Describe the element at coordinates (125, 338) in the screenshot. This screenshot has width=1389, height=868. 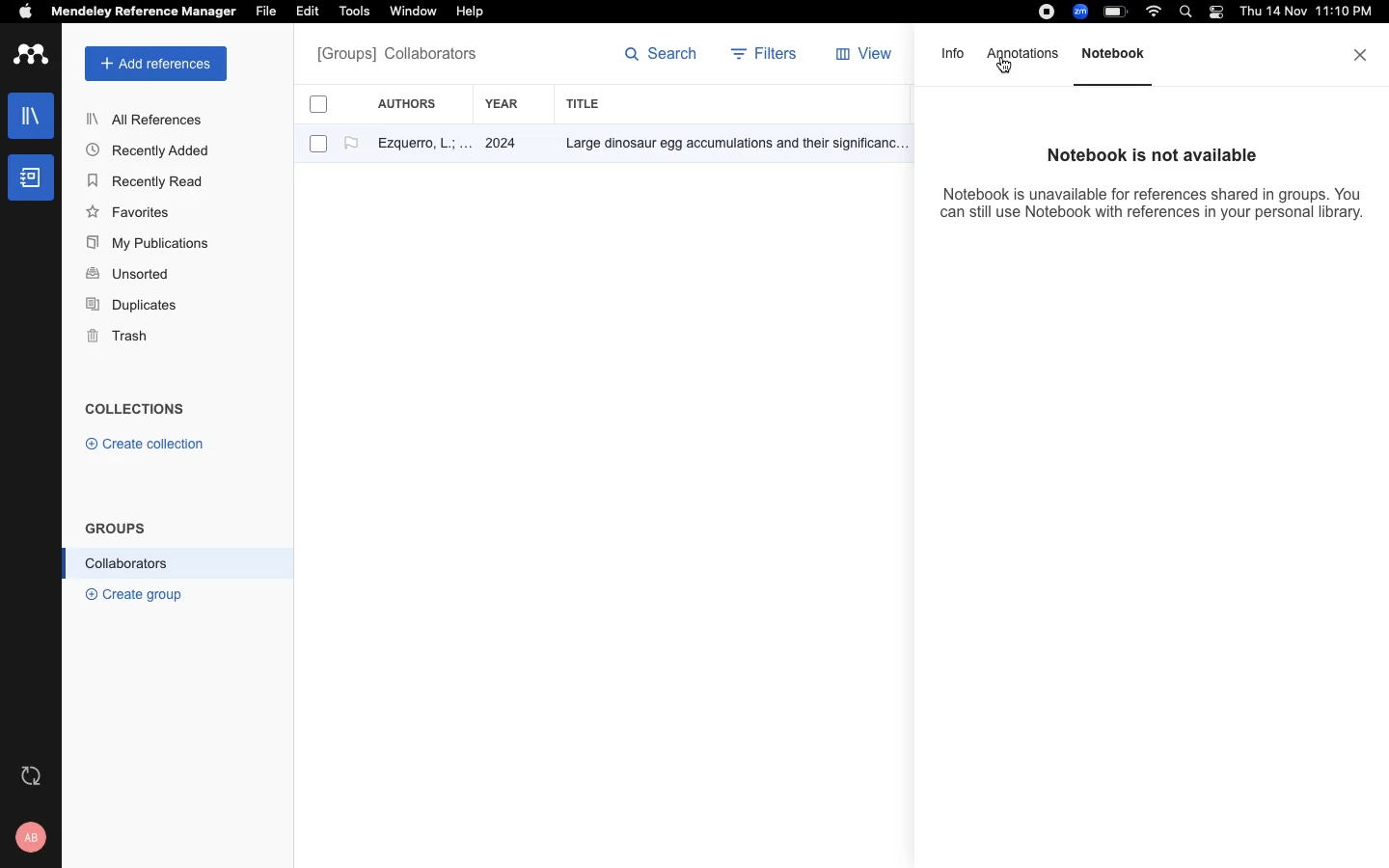
I see `Trash` at that location.